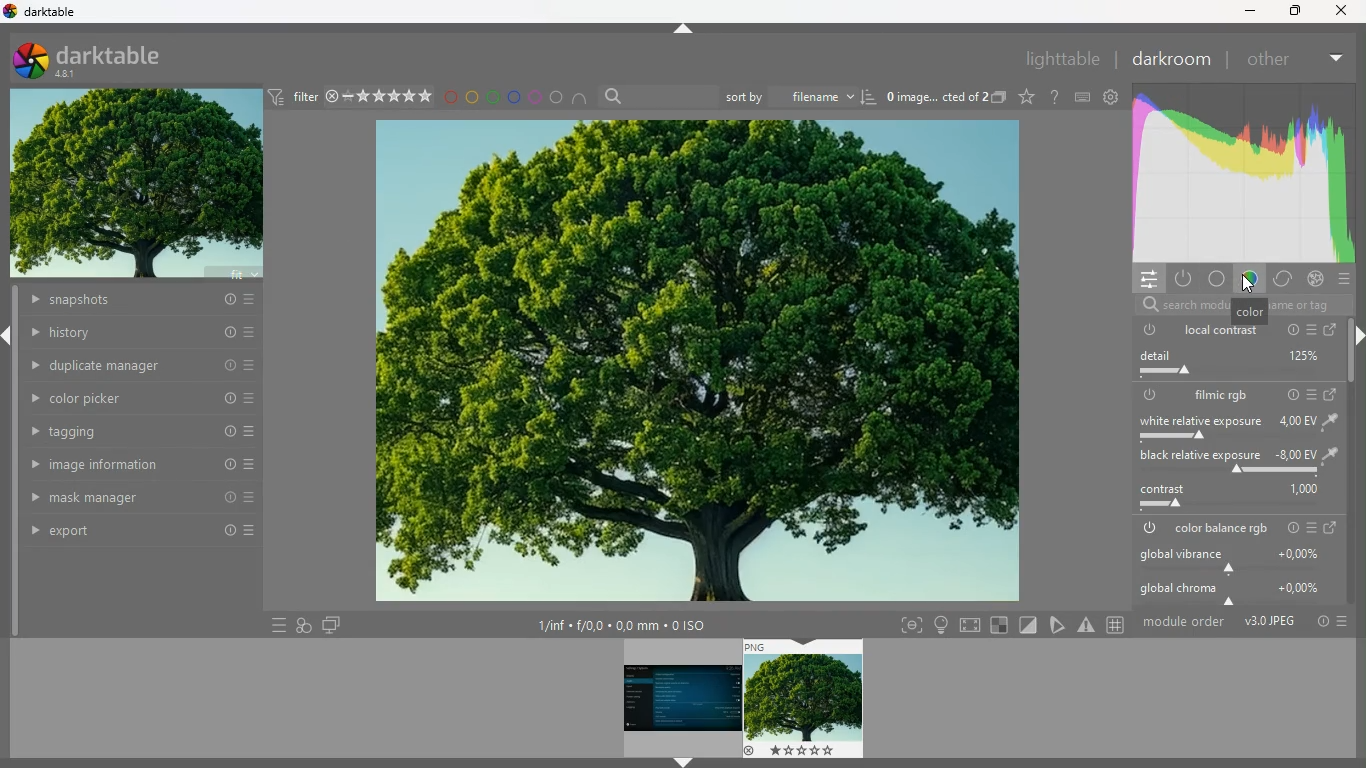 This screenshot has width=1366, height=768. What do you see at coordinates (1289, 330) in the screenshot?
I see `info` at bounding box center [1289, 330].